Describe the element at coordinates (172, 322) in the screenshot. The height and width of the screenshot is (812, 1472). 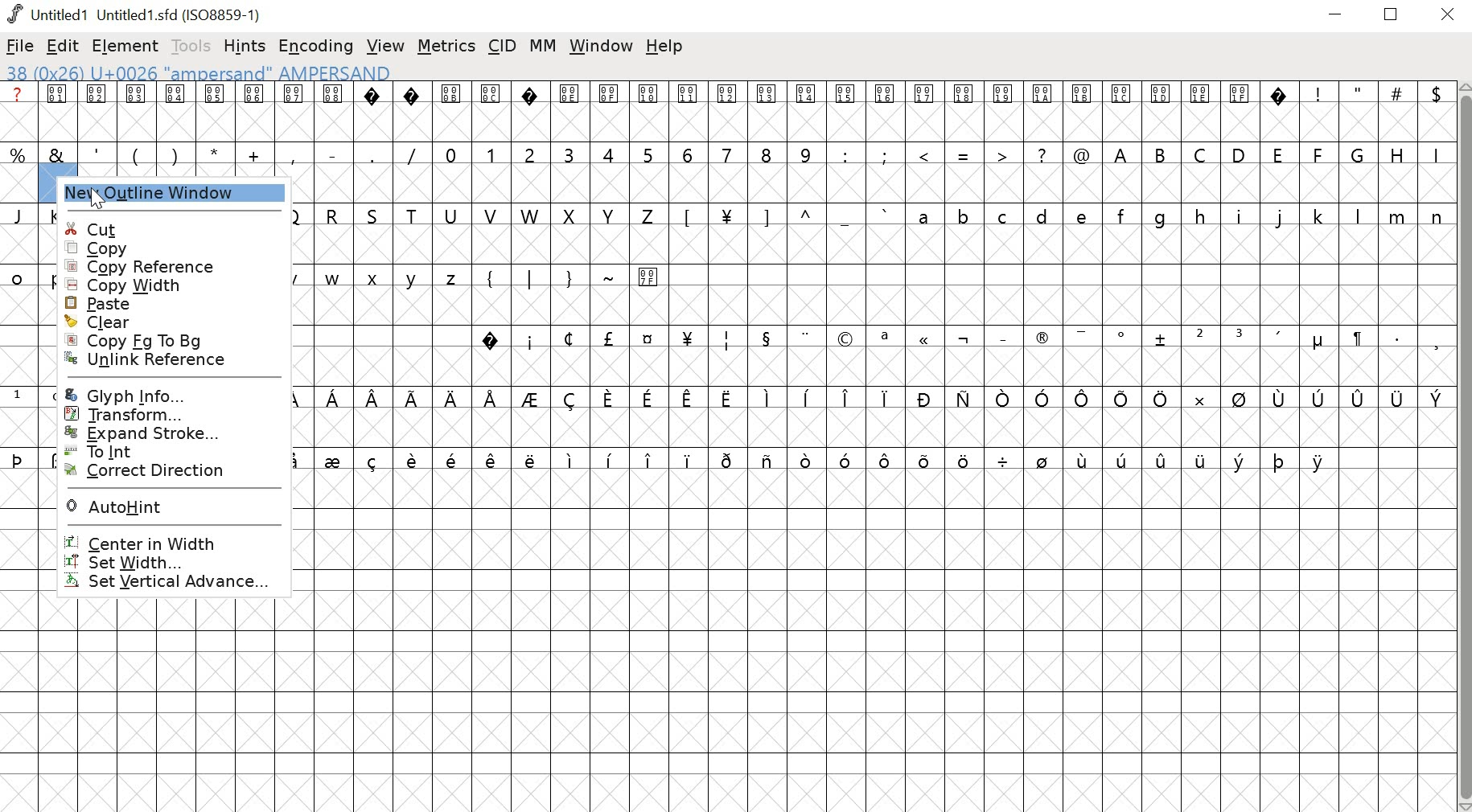
I see `clear` at that location.